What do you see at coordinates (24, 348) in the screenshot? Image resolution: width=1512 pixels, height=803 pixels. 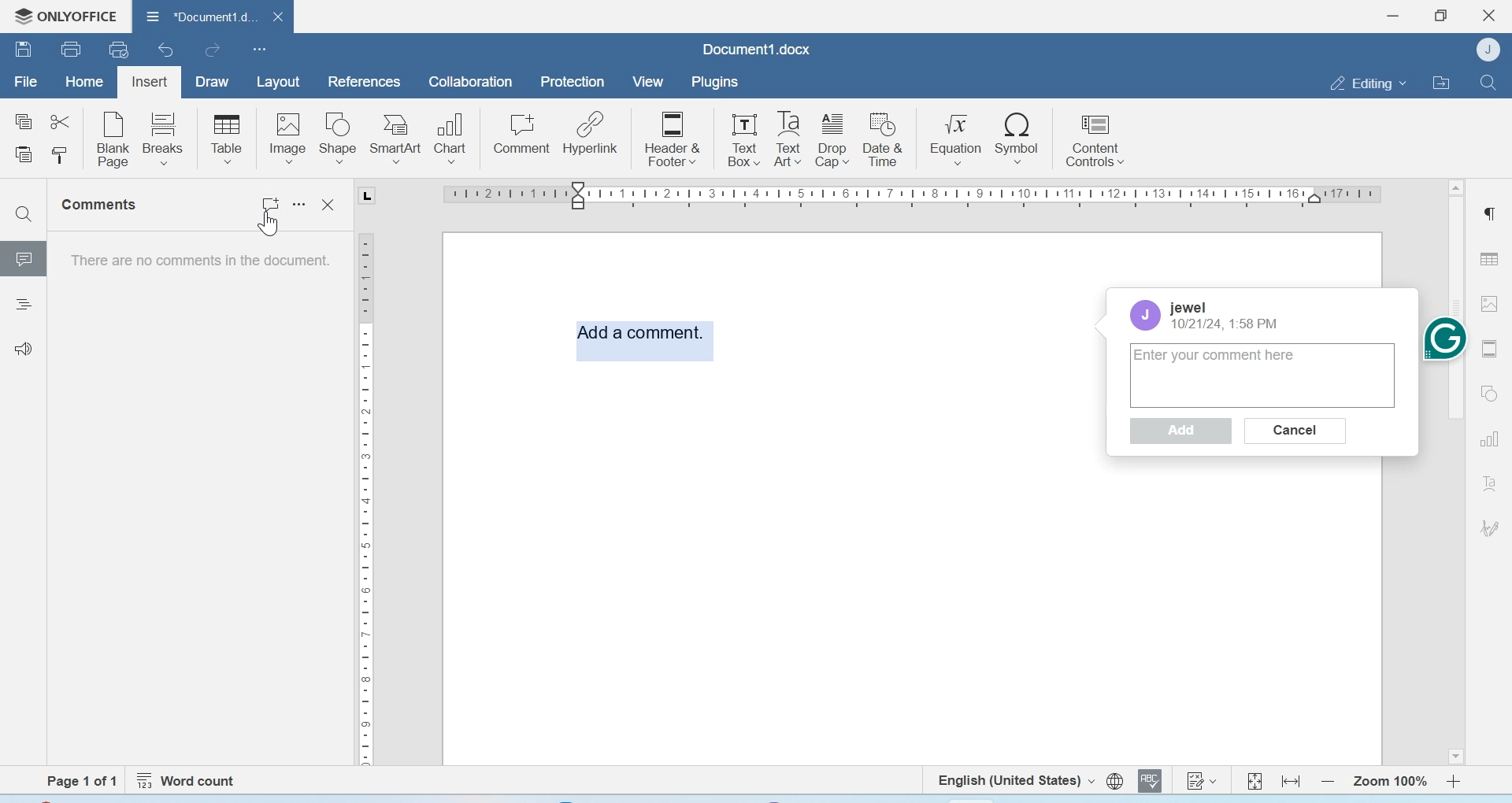 I see `Feedback & Support` at bounding box center [24, 348].